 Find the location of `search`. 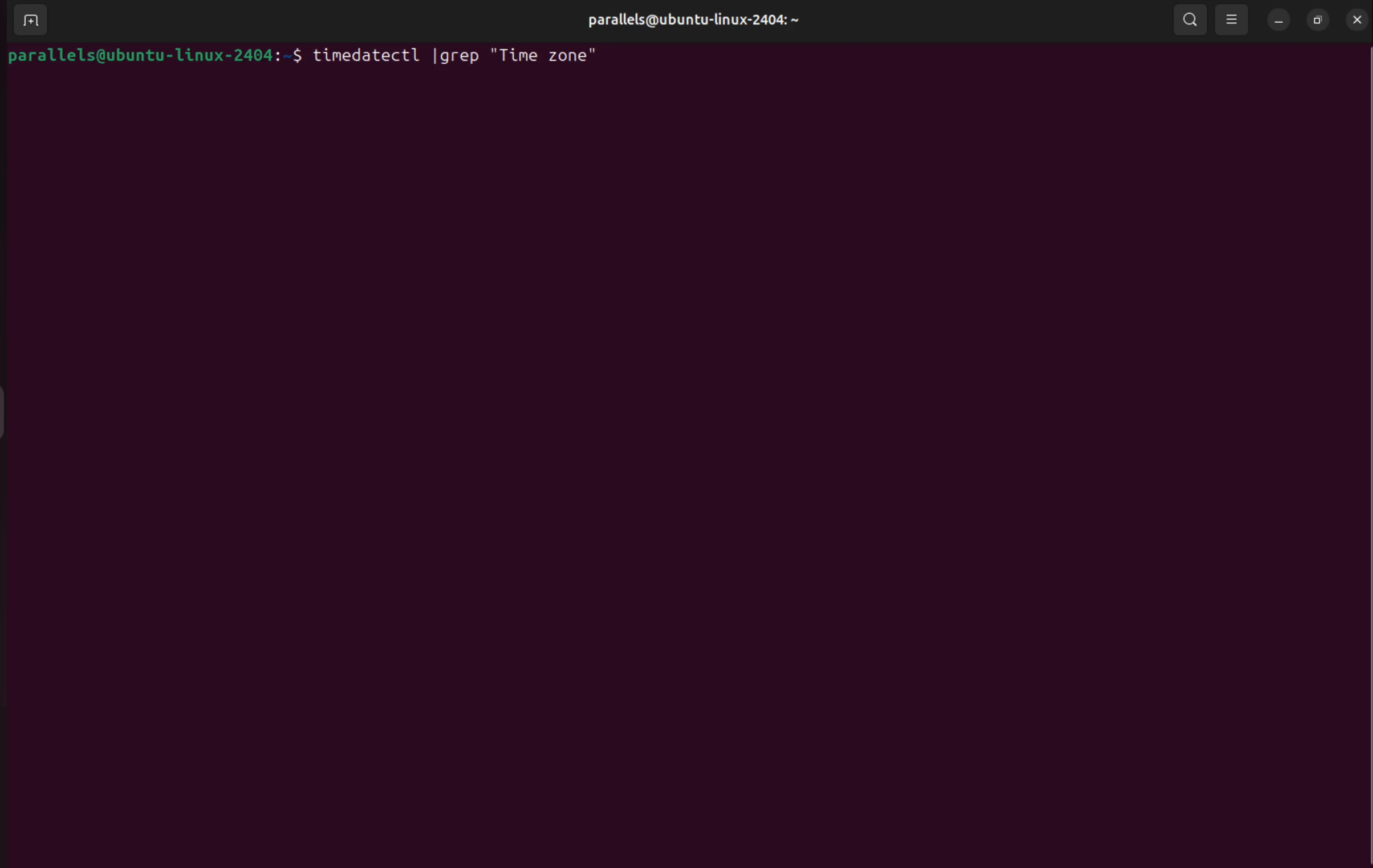

search is located at coordinates (1191, 19).